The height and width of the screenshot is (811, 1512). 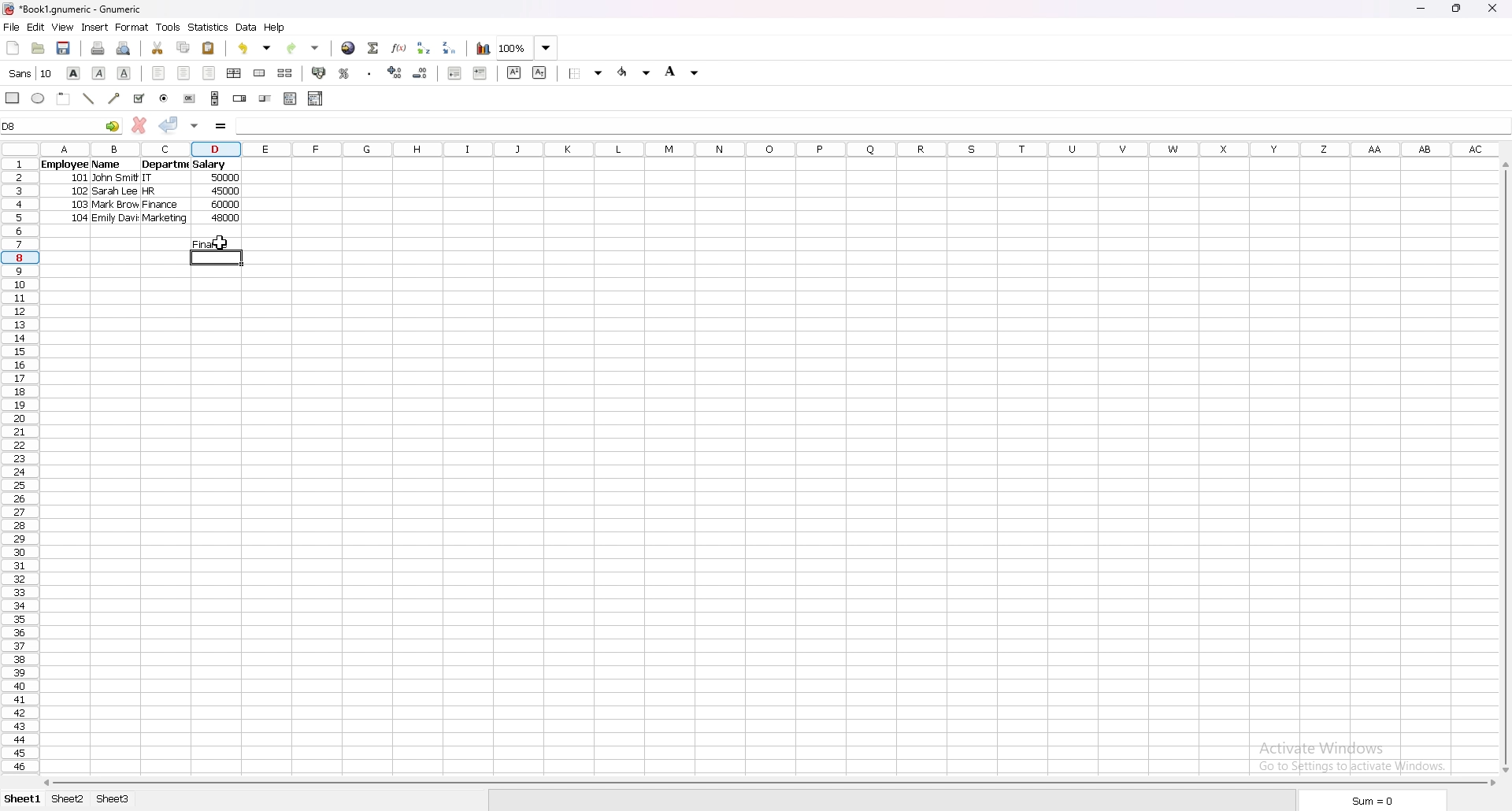 What do you see at coordinates (161, 206) in the screenshot?
I see `Finance` at bounding box center [161, 206].